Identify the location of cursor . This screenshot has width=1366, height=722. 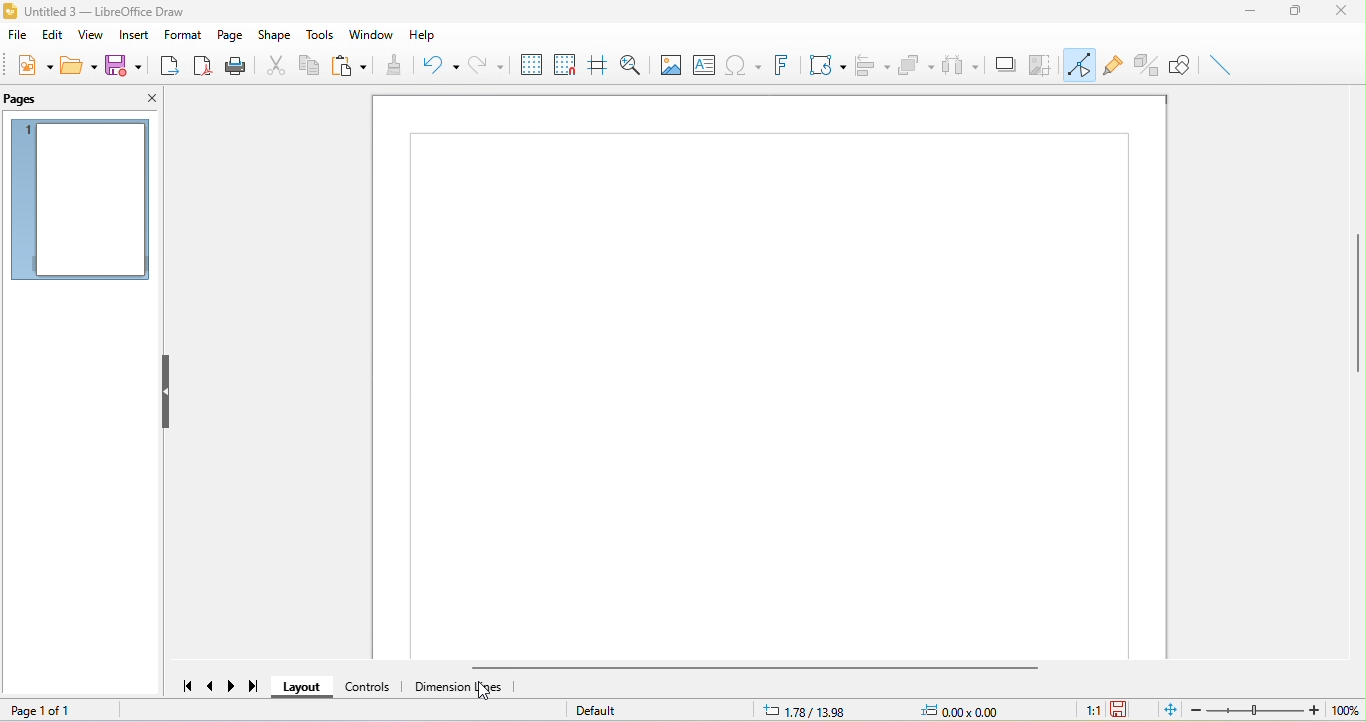
(479, 696).